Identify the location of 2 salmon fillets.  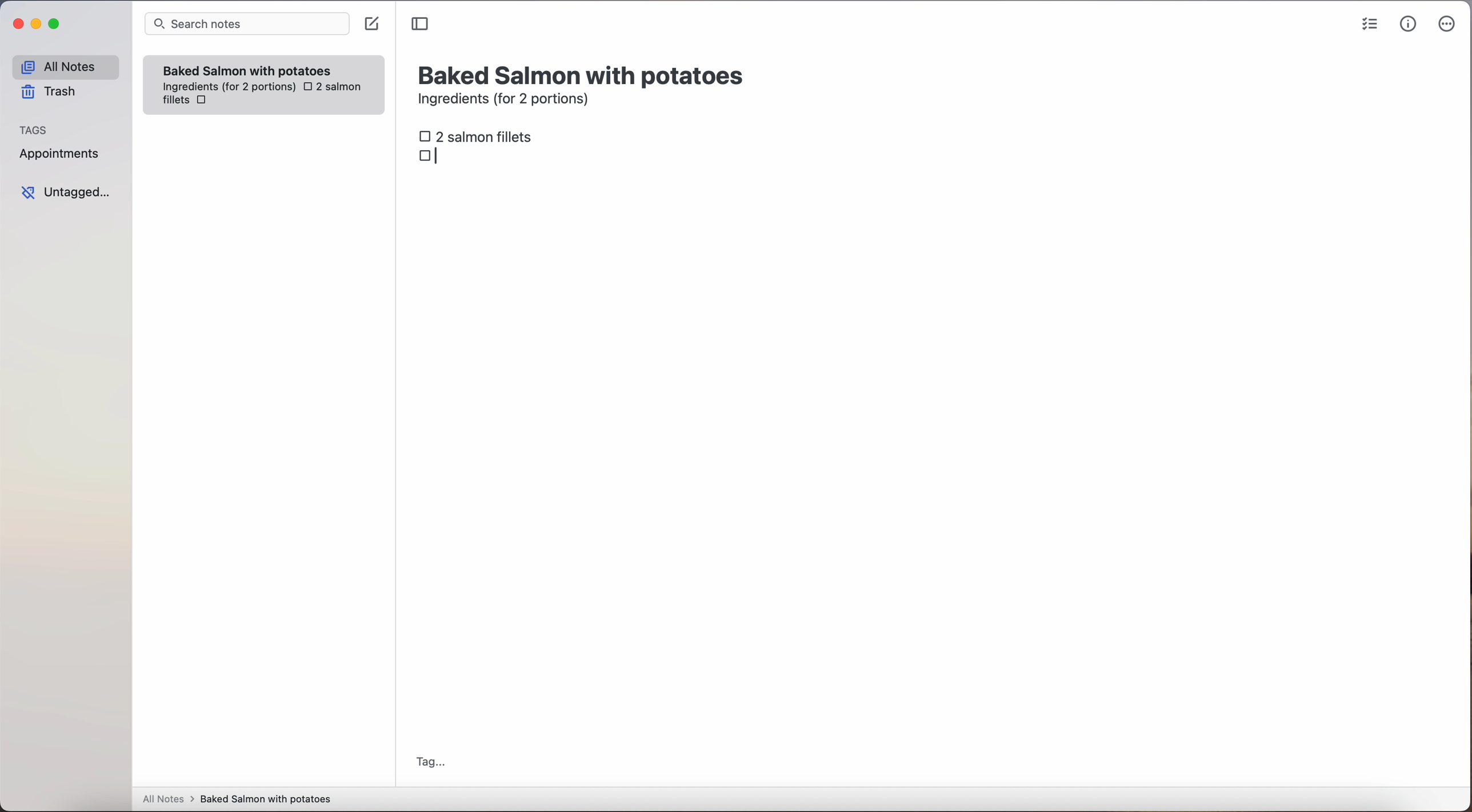
(479, 135).